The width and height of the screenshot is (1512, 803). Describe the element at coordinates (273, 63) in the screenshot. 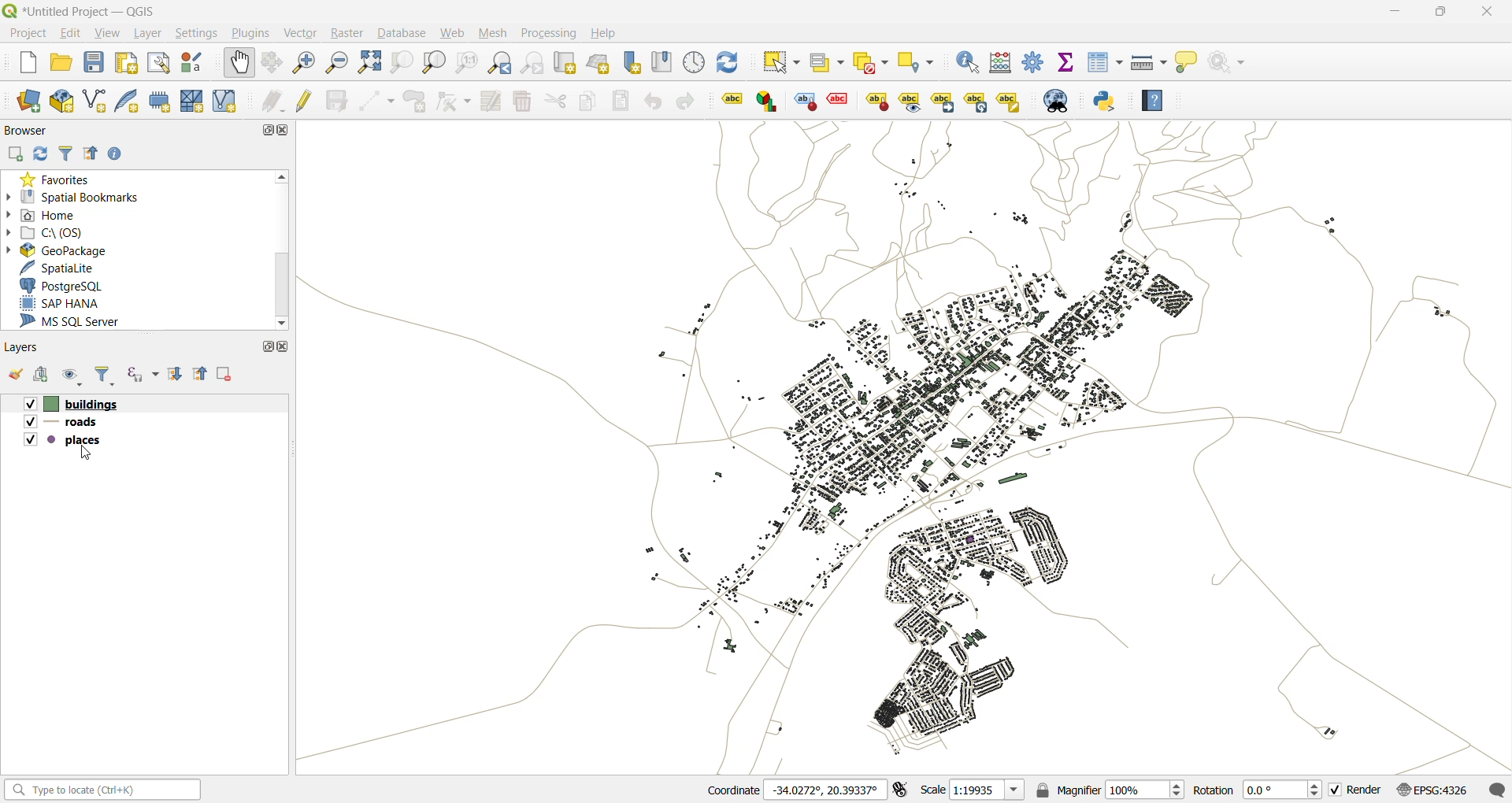

I see `pan selection` at that location.